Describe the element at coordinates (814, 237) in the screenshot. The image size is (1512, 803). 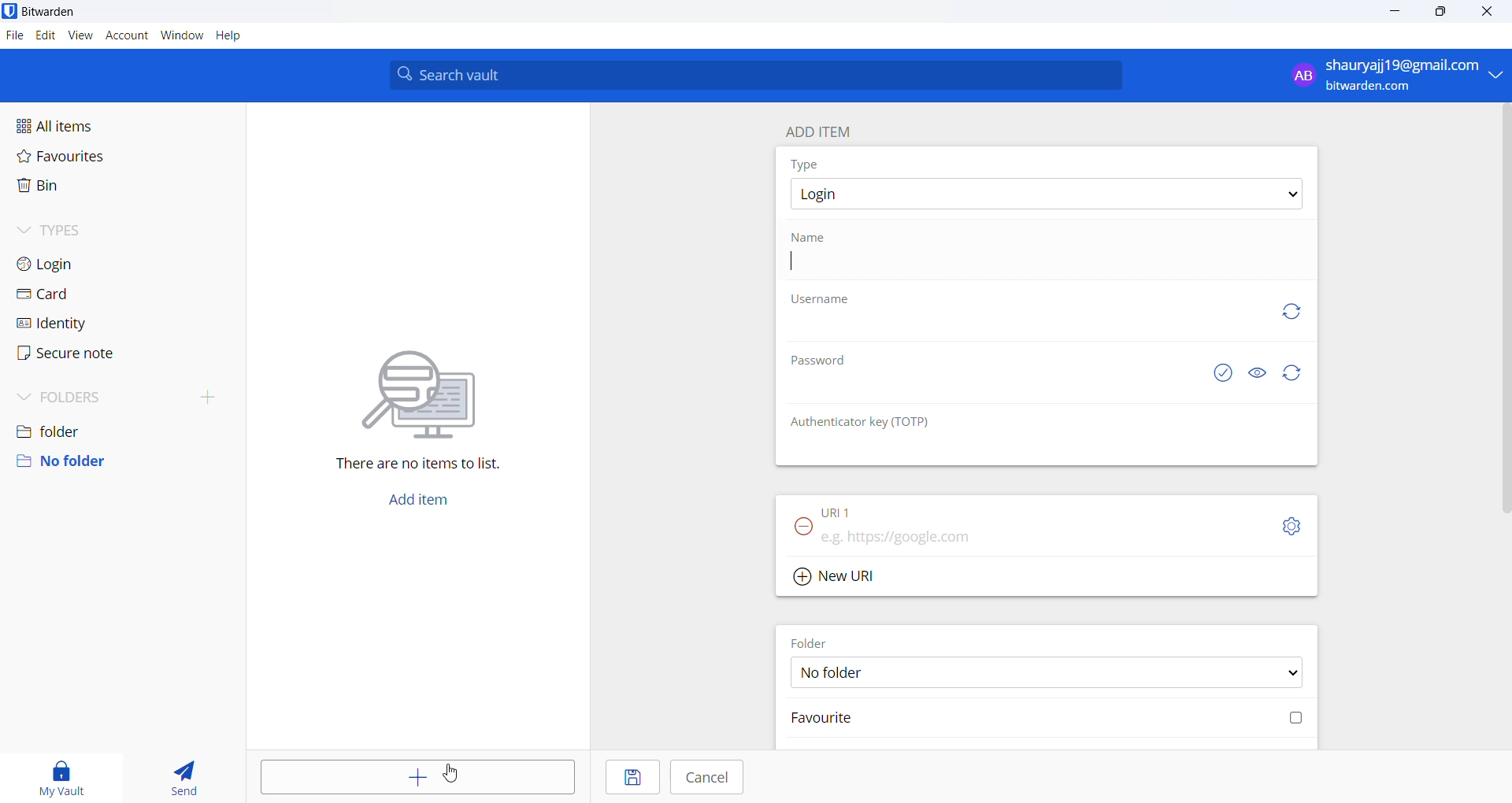
I see `name heading` at that location.